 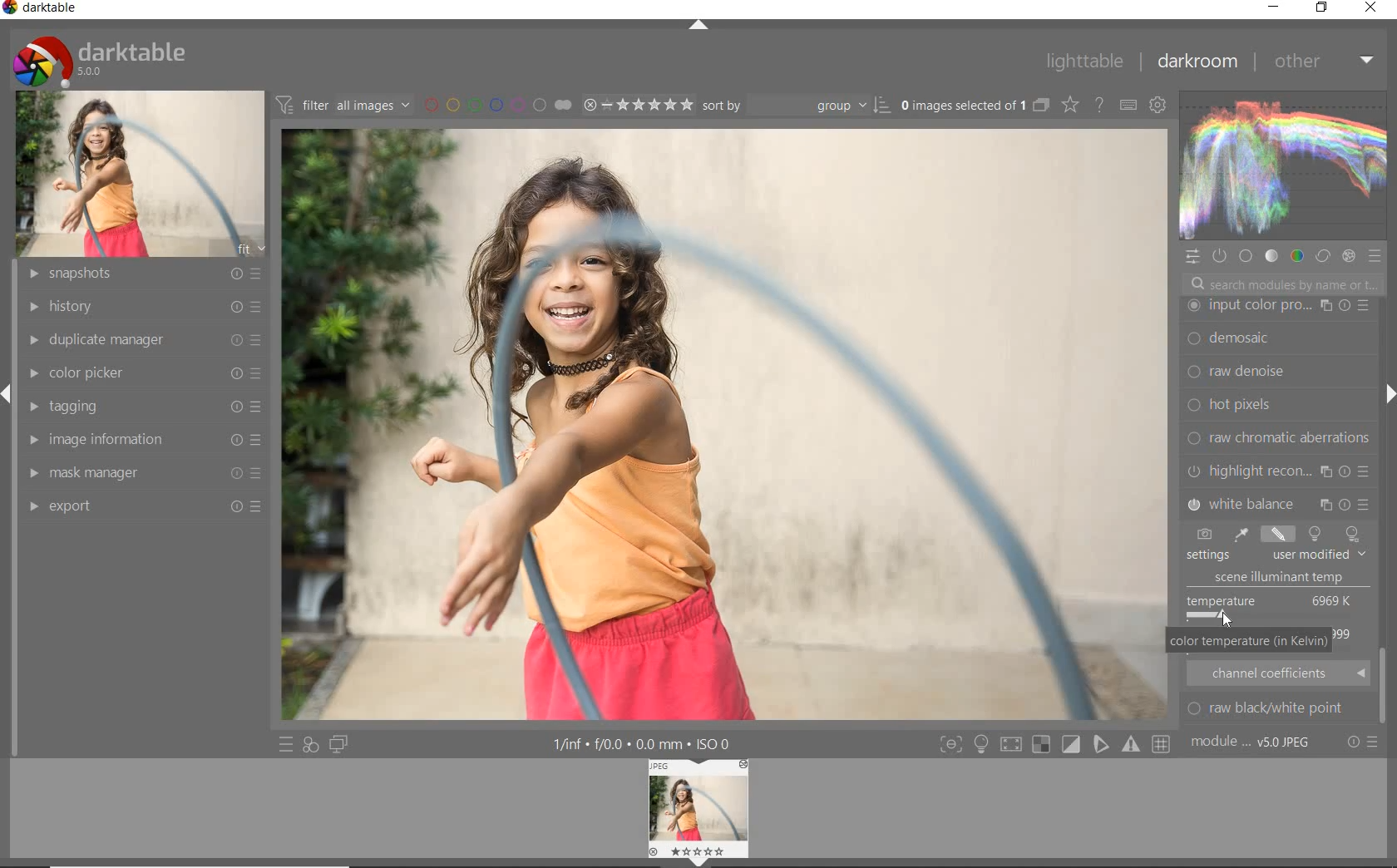 I want to click on expand / collapse, so click(x=697, y=28).